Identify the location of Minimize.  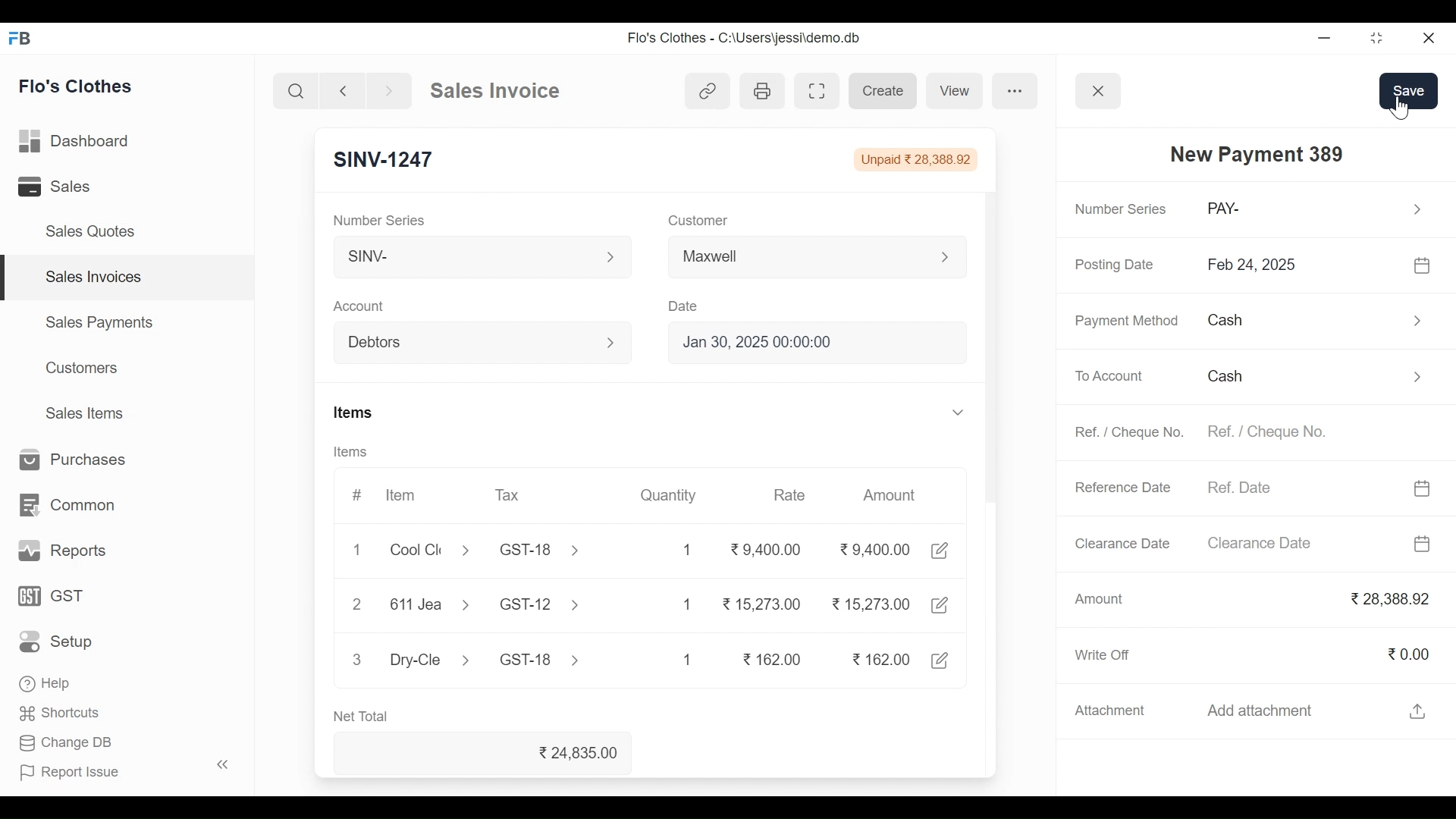
(1324, 39).